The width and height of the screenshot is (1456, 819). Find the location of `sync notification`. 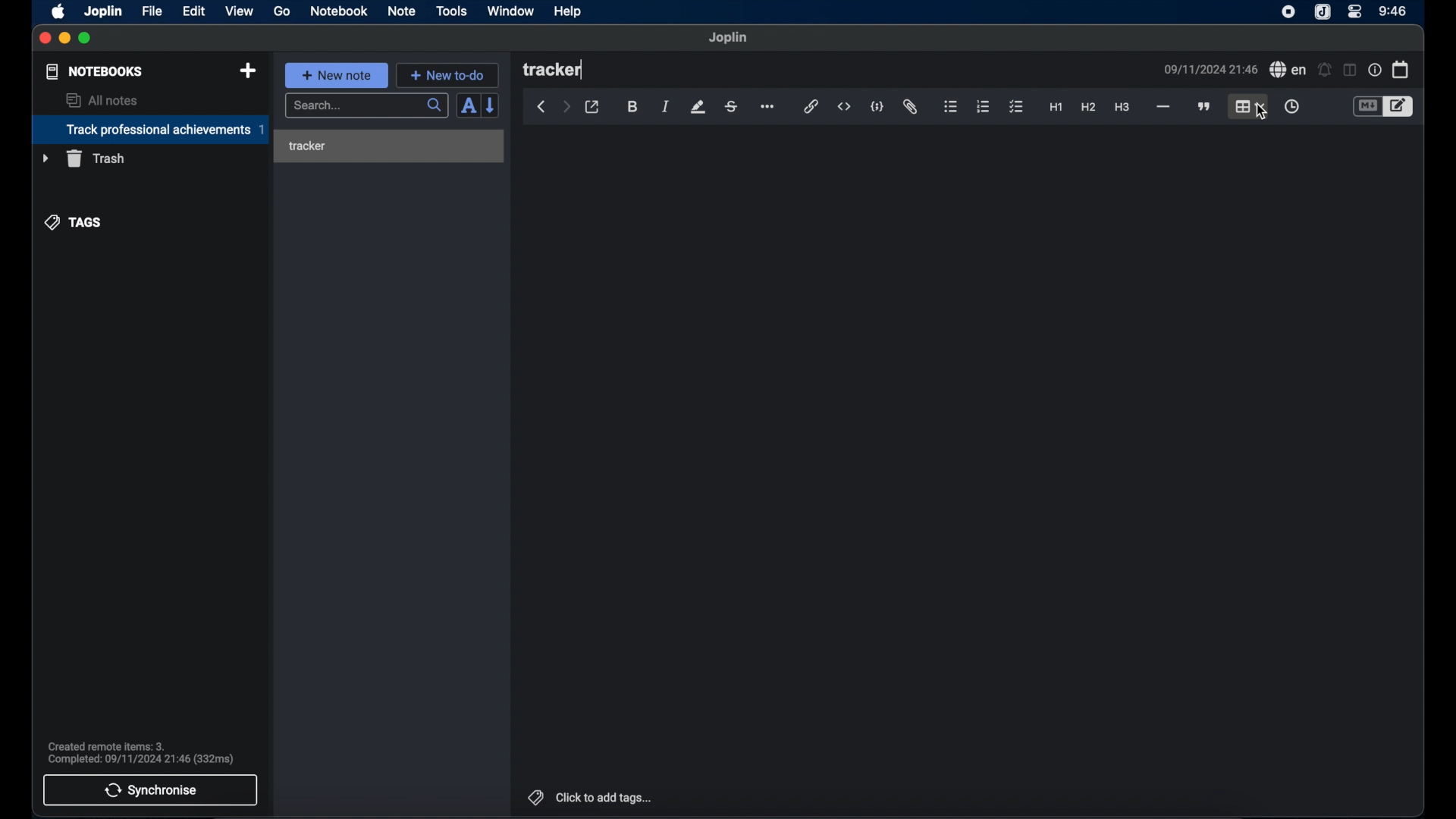

sync notification is located at coordinates (140, 753).